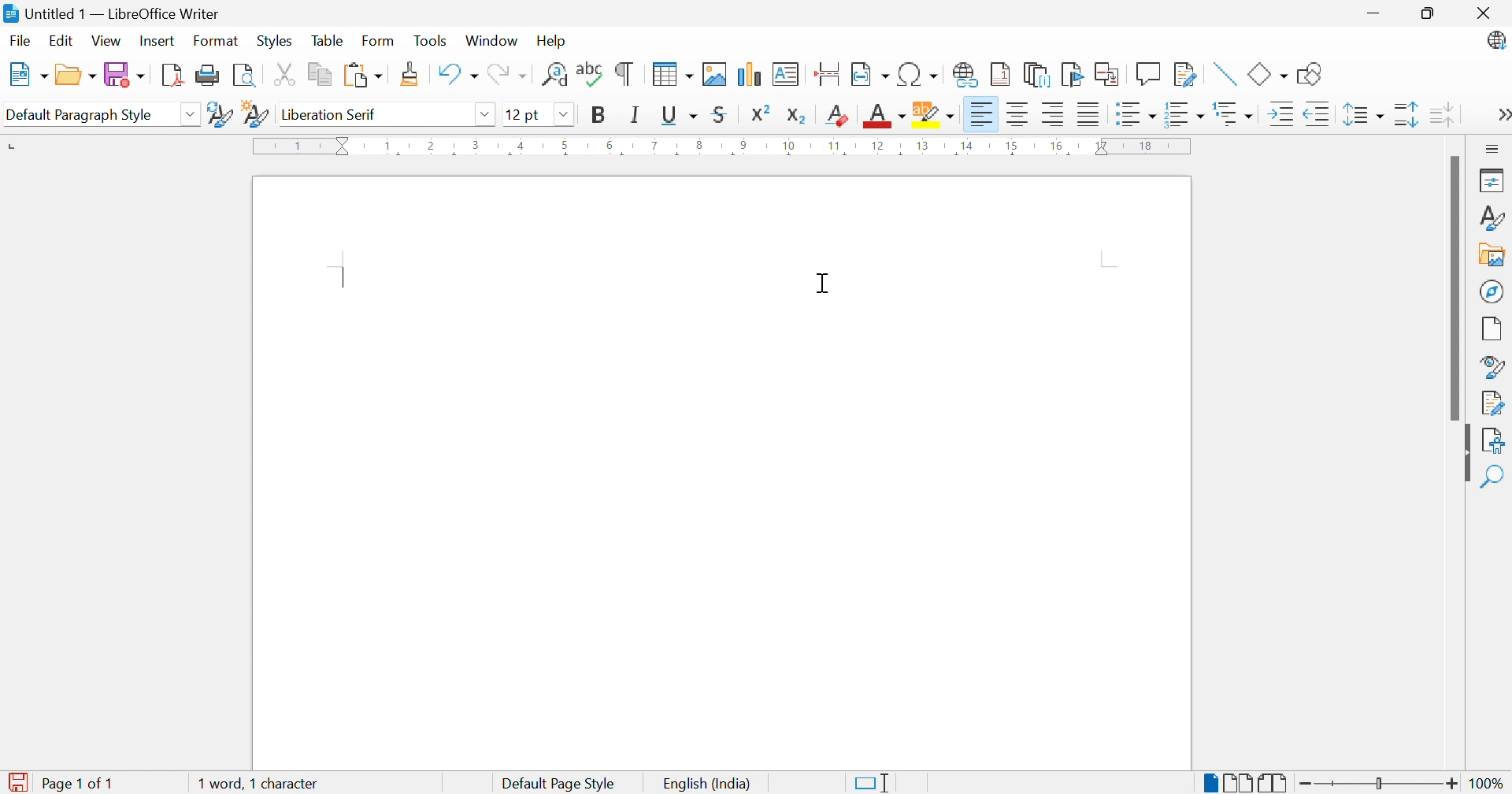 The image size is (1512, 794). I want to click on Minimize, so click(1372, 10).